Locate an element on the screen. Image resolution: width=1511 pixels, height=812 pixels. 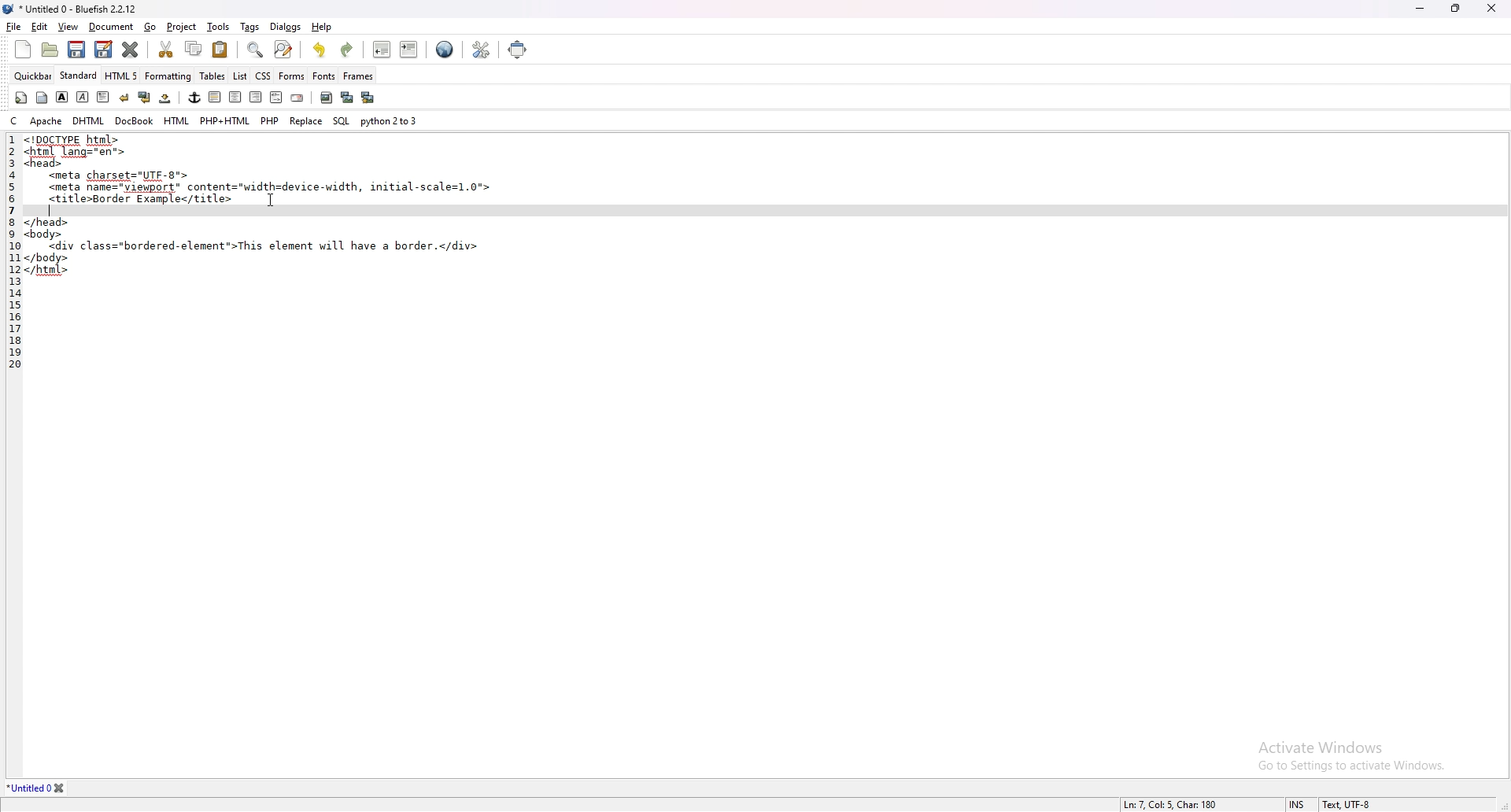
docbook is located at coordinates (134, 120).